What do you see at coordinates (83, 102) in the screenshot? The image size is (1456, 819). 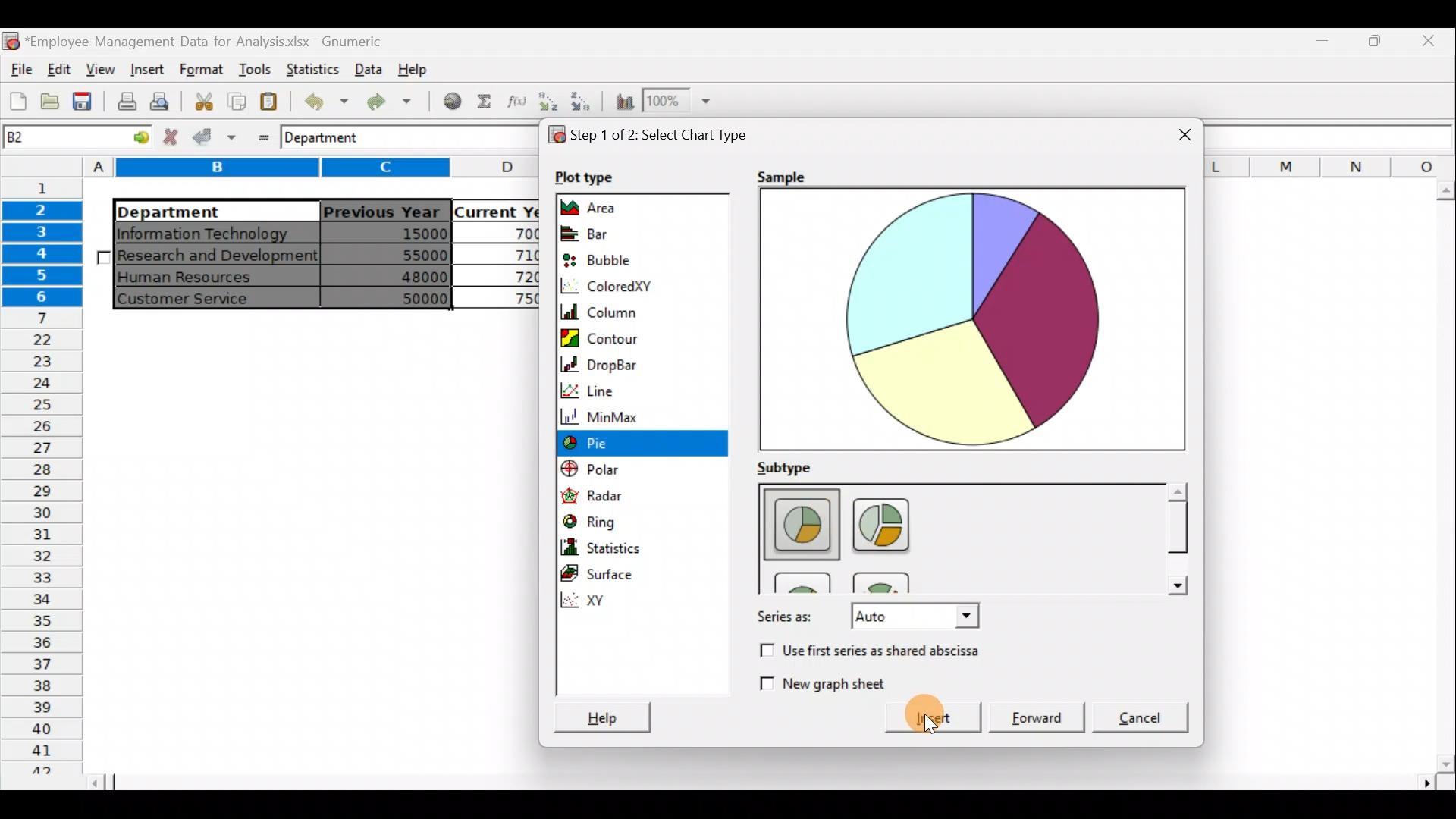 I see `Save the current workbook` at bounding box center [83, 102].